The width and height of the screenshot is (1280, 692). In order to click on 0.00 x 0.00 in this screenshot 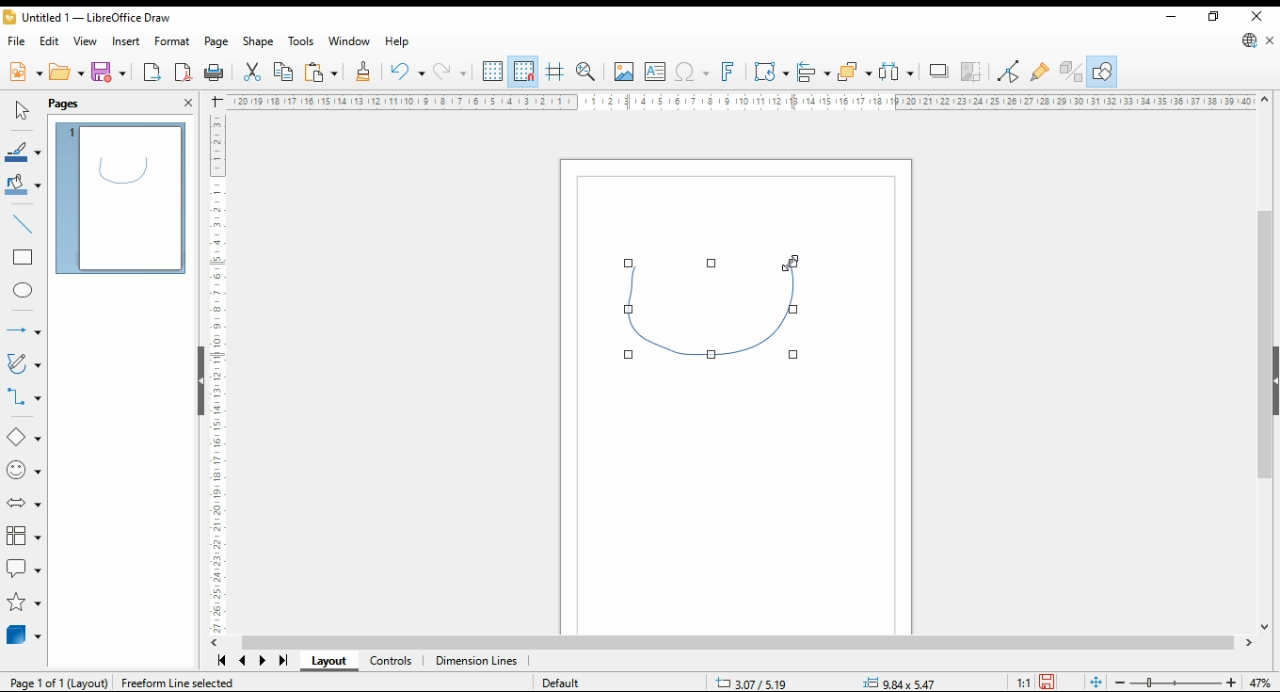, I will do `click(900, 680)`.